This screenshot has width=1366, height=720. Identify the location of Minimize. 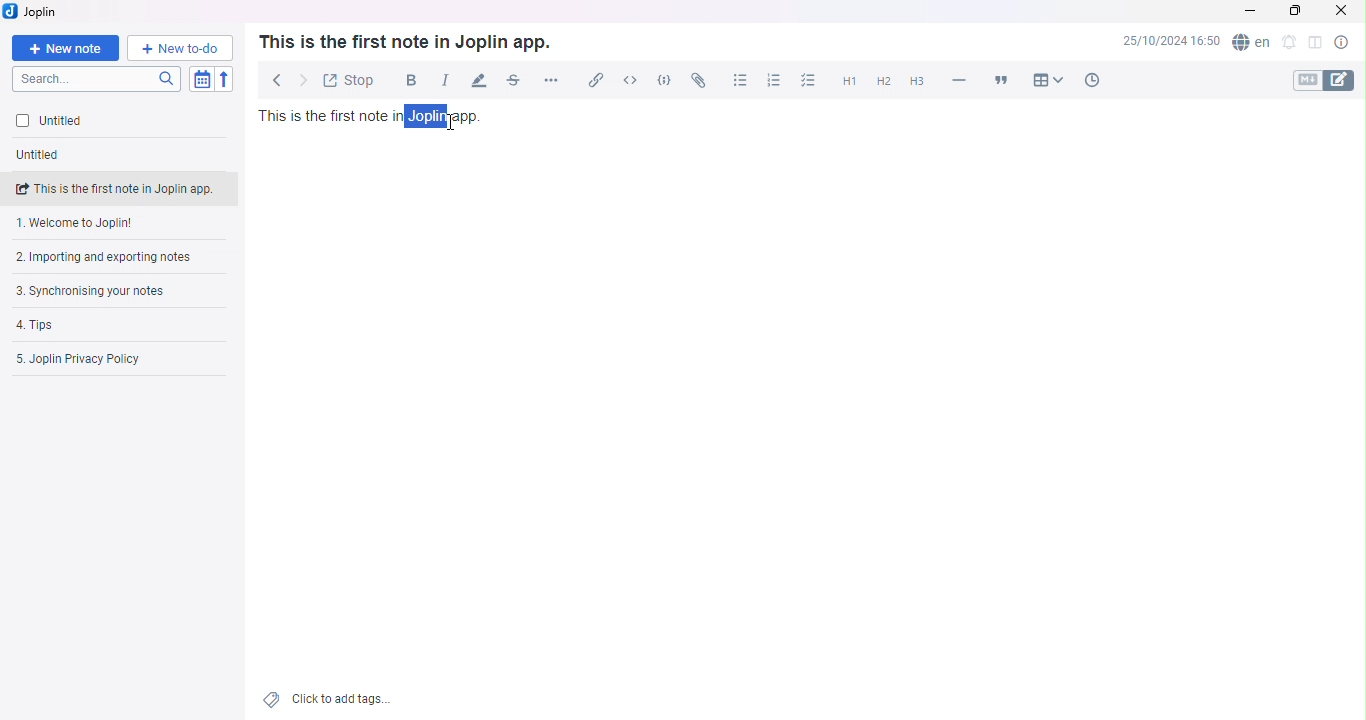
(1252, 12).